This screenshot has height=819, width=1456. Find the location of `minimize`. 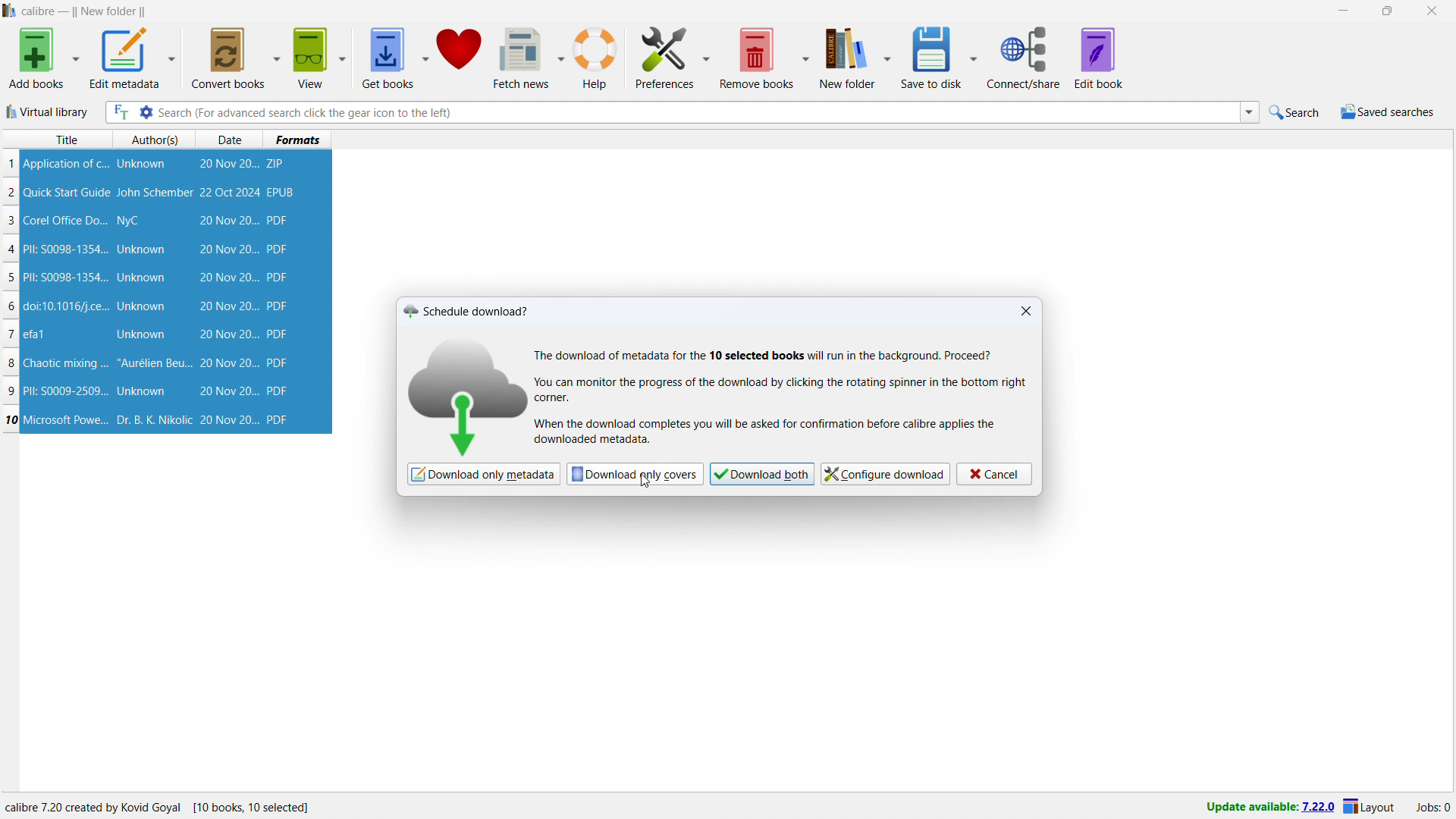

minimize is located at coordinates (1342, 11).